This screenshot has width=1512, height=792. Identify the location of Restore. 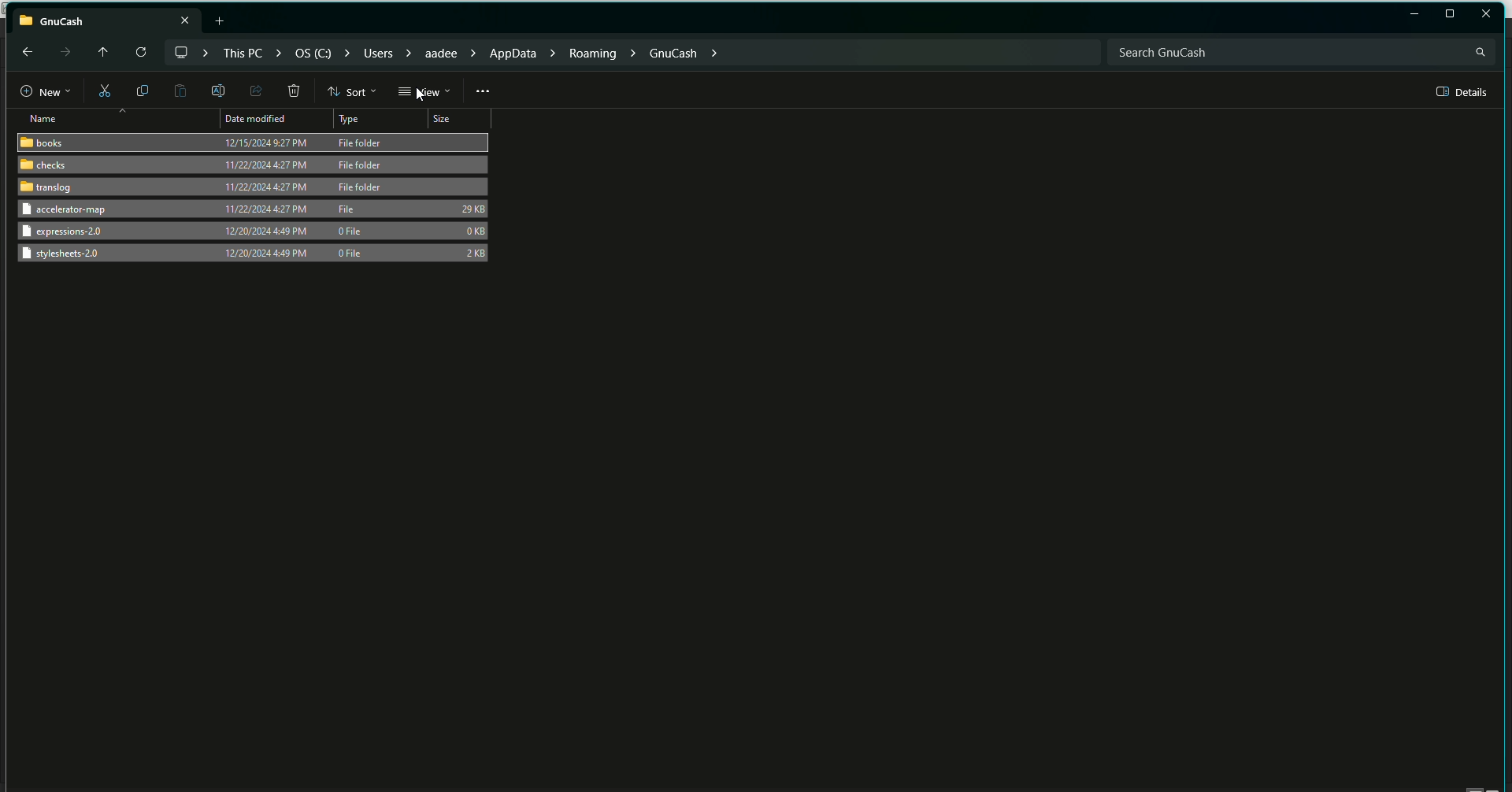
(1450, 14).